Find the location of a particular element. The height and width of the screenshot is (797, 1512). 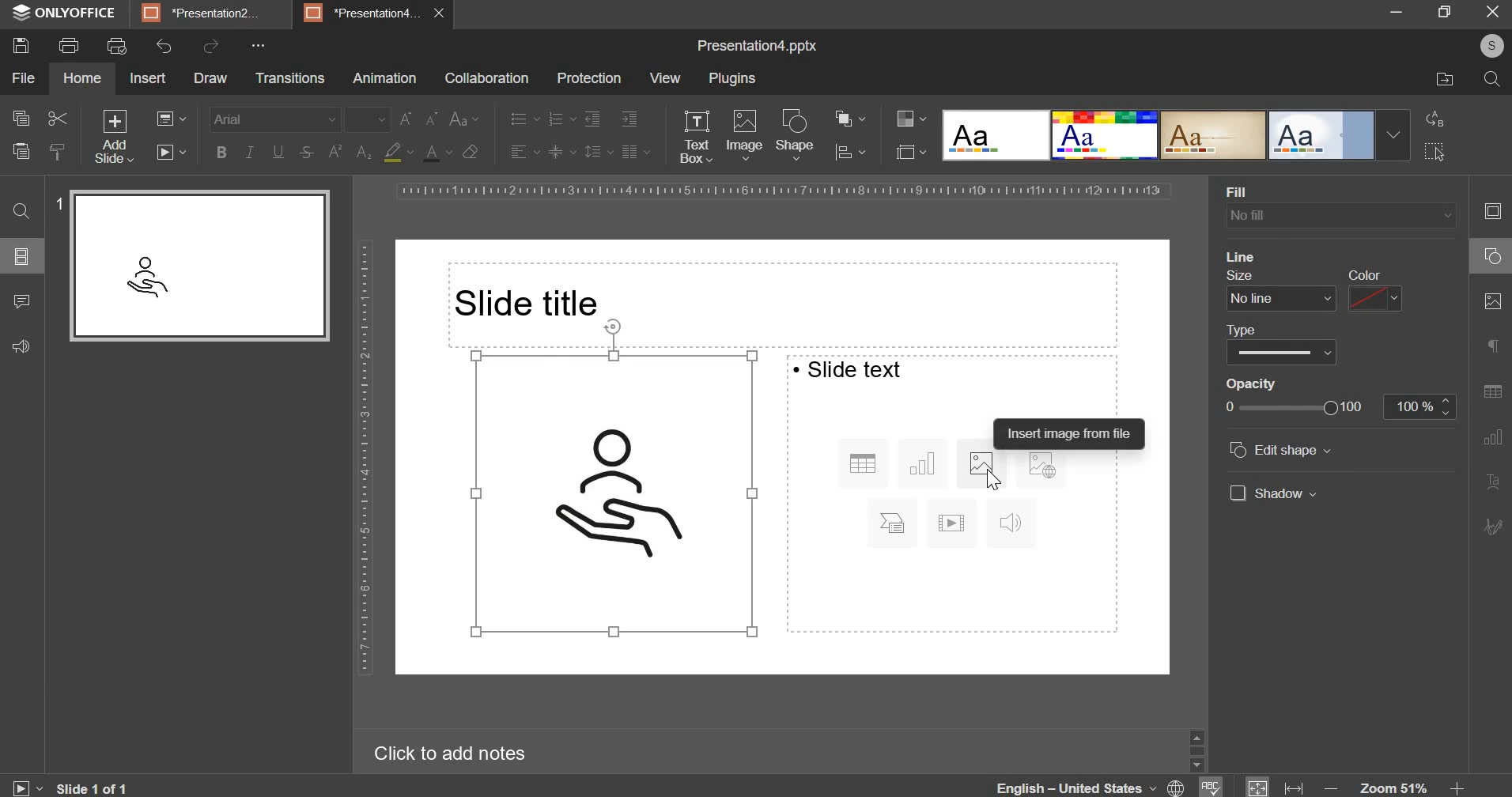

bold is located at coordinates (221, 151).